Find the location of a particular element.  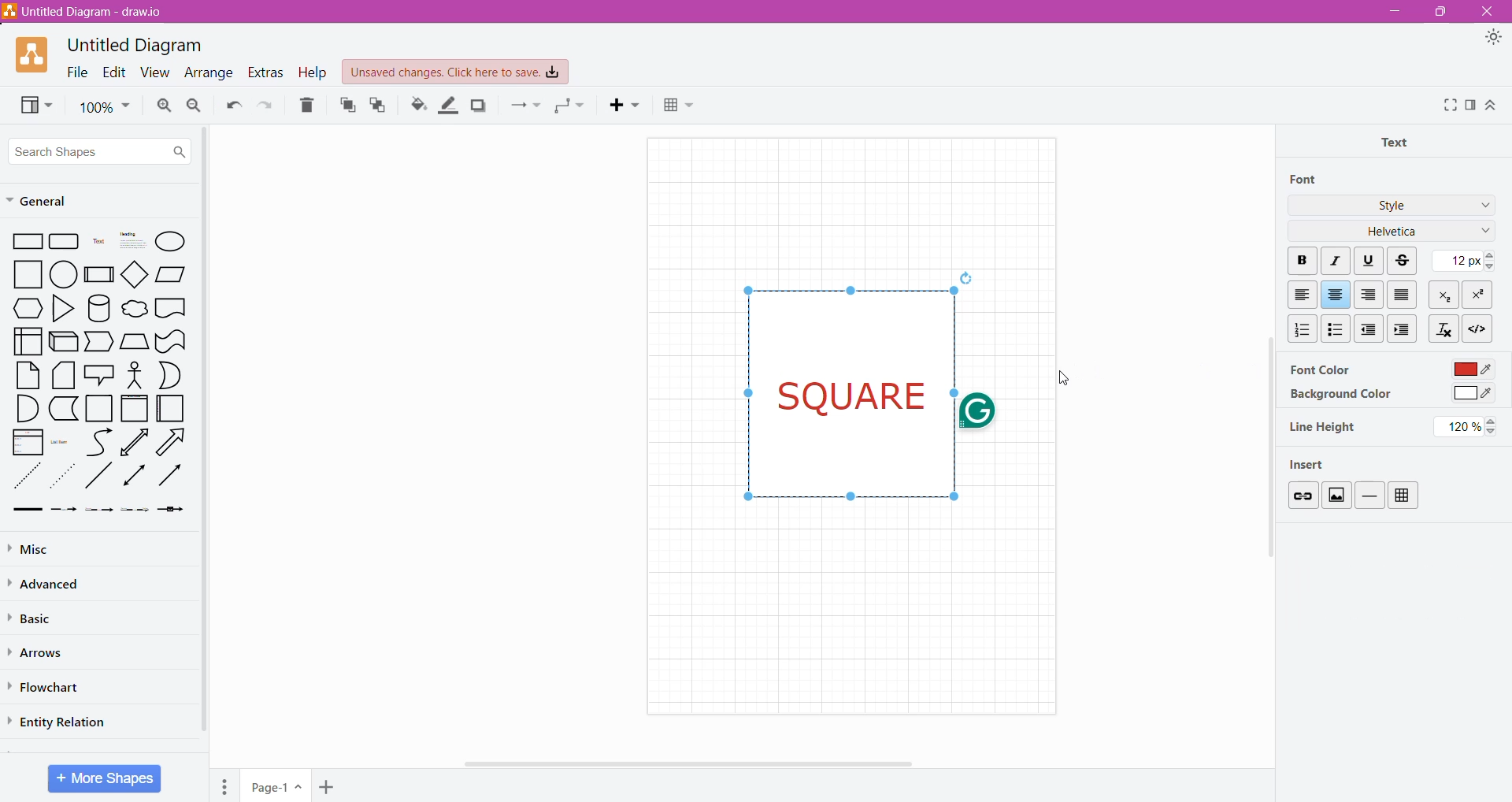

Folded Paper  is located at coordinates (172, 409).